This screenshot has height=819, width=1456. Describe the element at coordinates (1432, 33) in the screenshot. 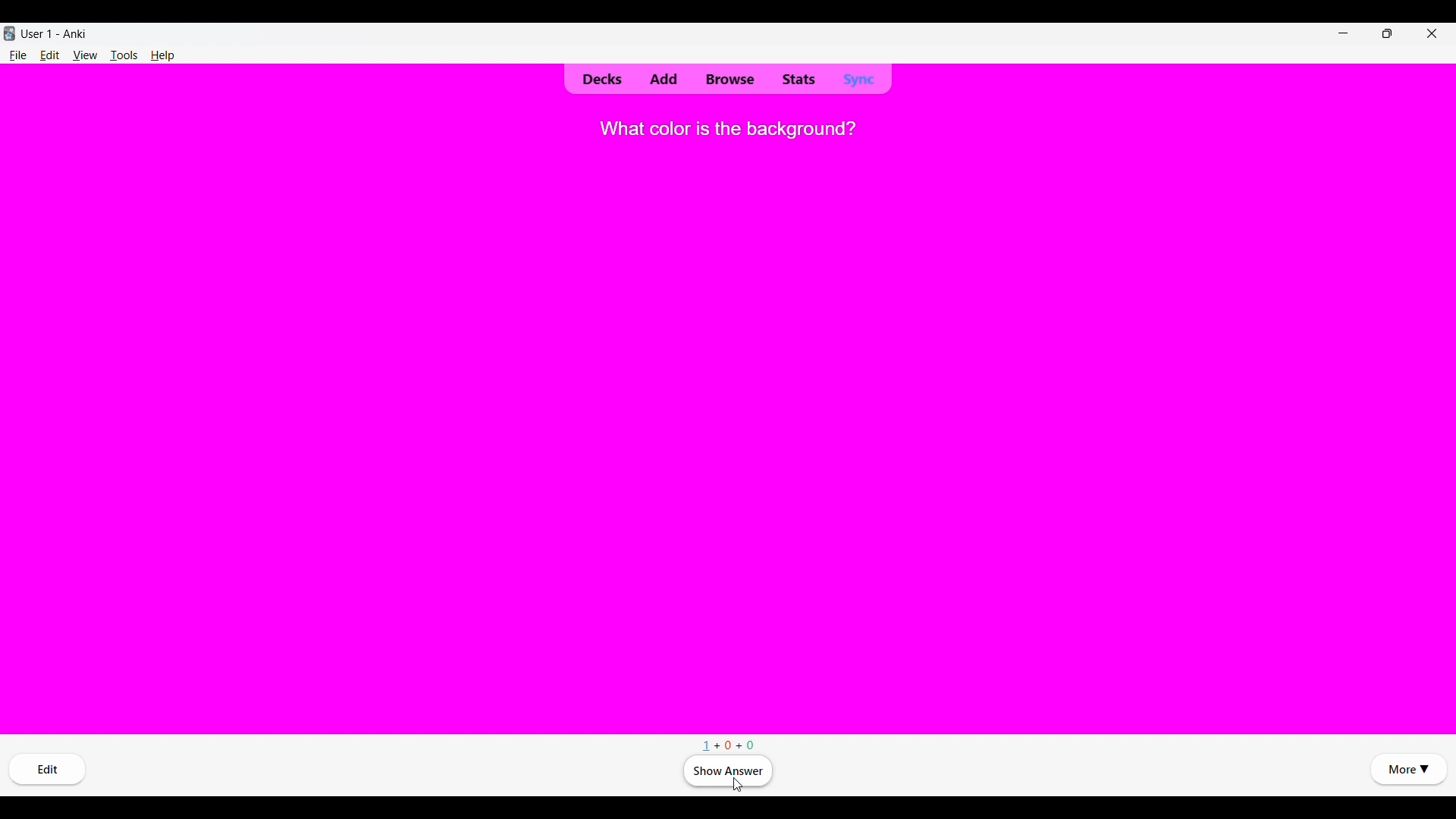

I see `Close interface` at that location.